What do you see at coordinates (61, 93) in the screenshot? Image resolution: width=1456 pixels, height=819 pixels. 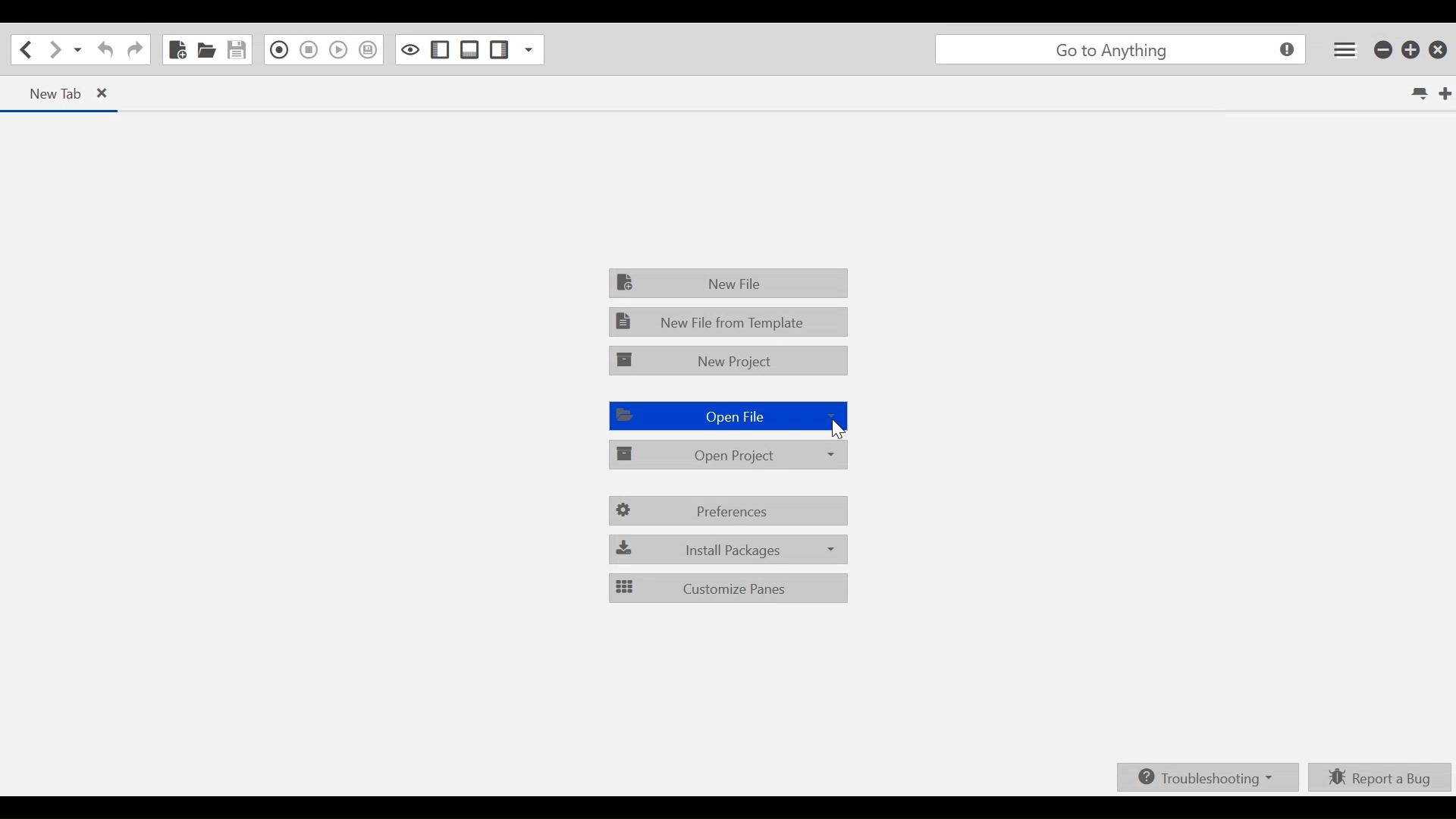 I see `new Tab` at bounding box center [61, 93].